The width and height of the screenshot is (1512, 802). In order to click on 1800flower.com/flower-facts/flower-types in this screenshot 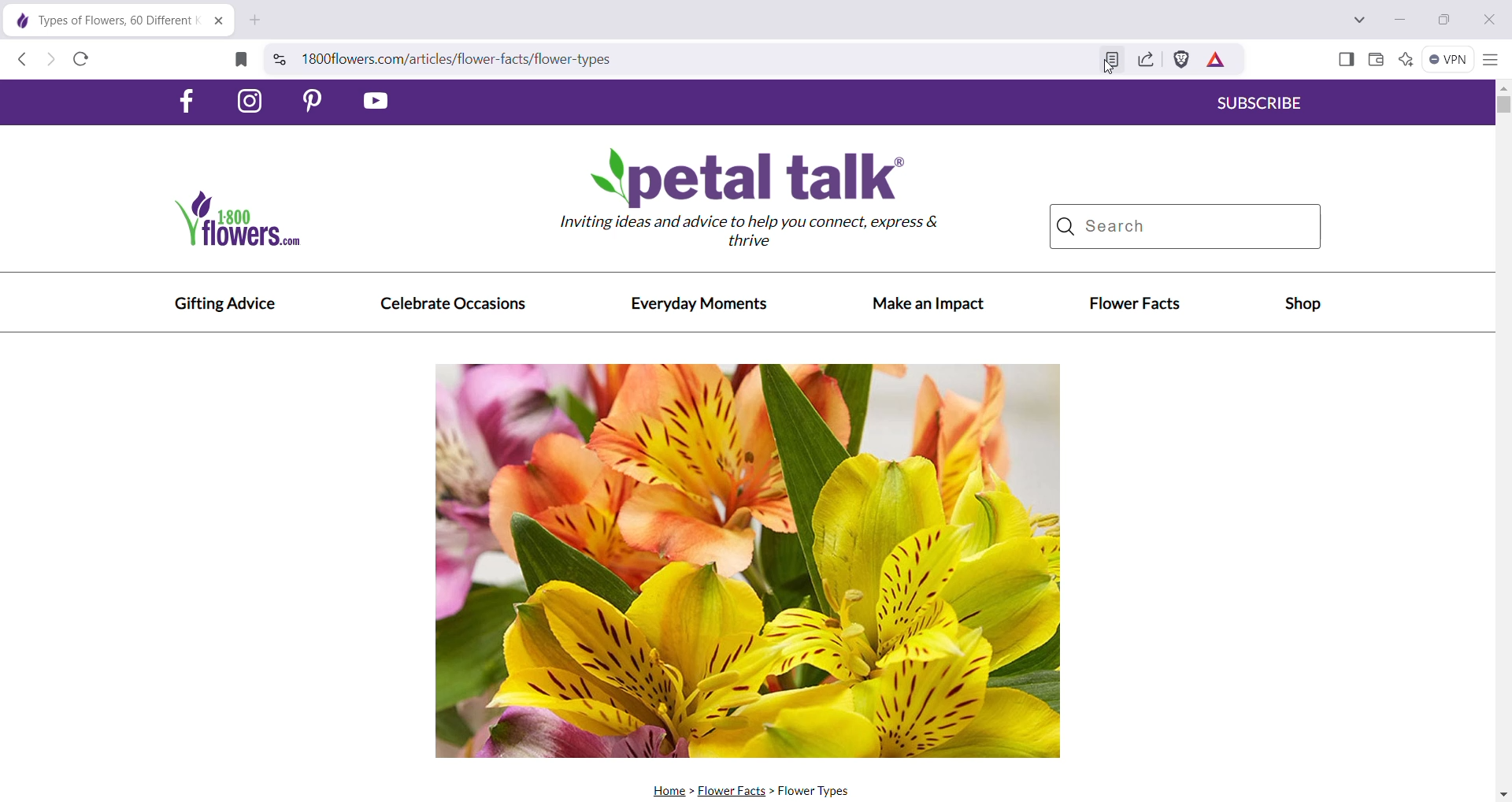, I will do `click(697, 58)`.